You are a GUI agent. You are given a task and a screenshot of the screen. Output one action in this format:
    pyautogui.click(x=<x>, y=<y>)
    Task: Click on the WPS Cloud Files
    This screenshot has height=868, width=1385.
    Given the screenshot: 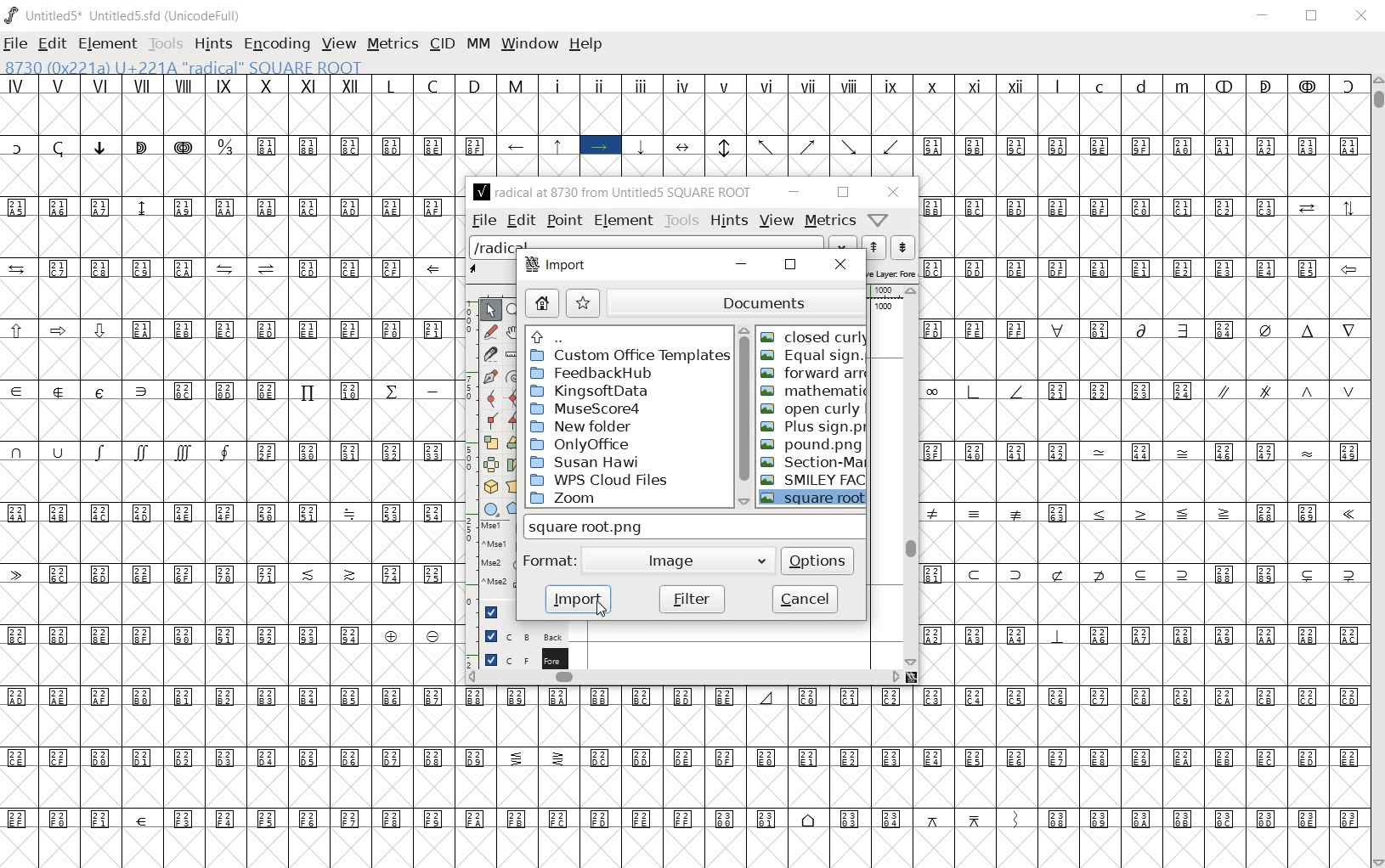 What is the action you would take?
    pyautogui.click(x=603, y=482)
    